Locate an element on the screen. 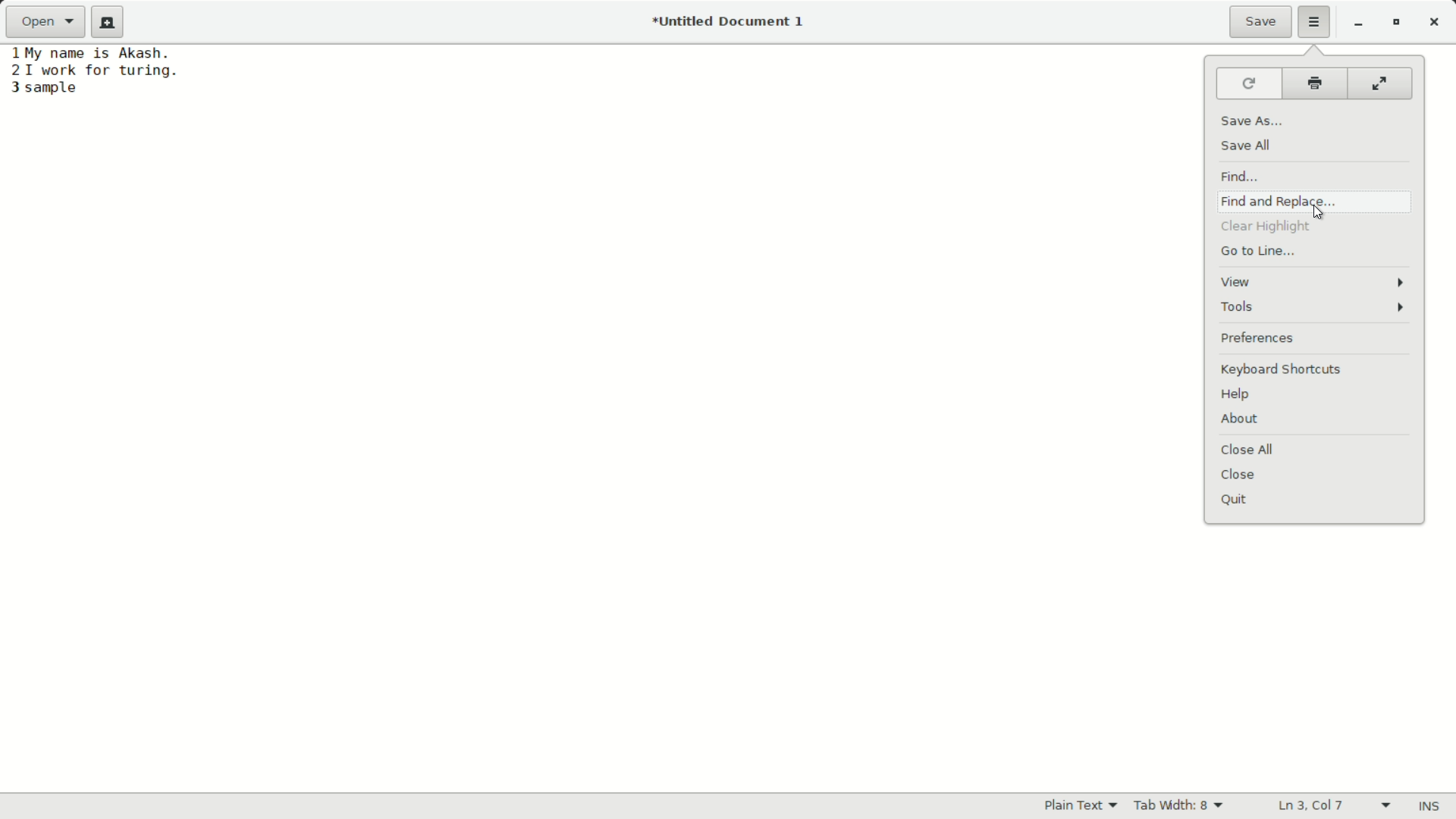  about is located at coordinates (1238, 418).